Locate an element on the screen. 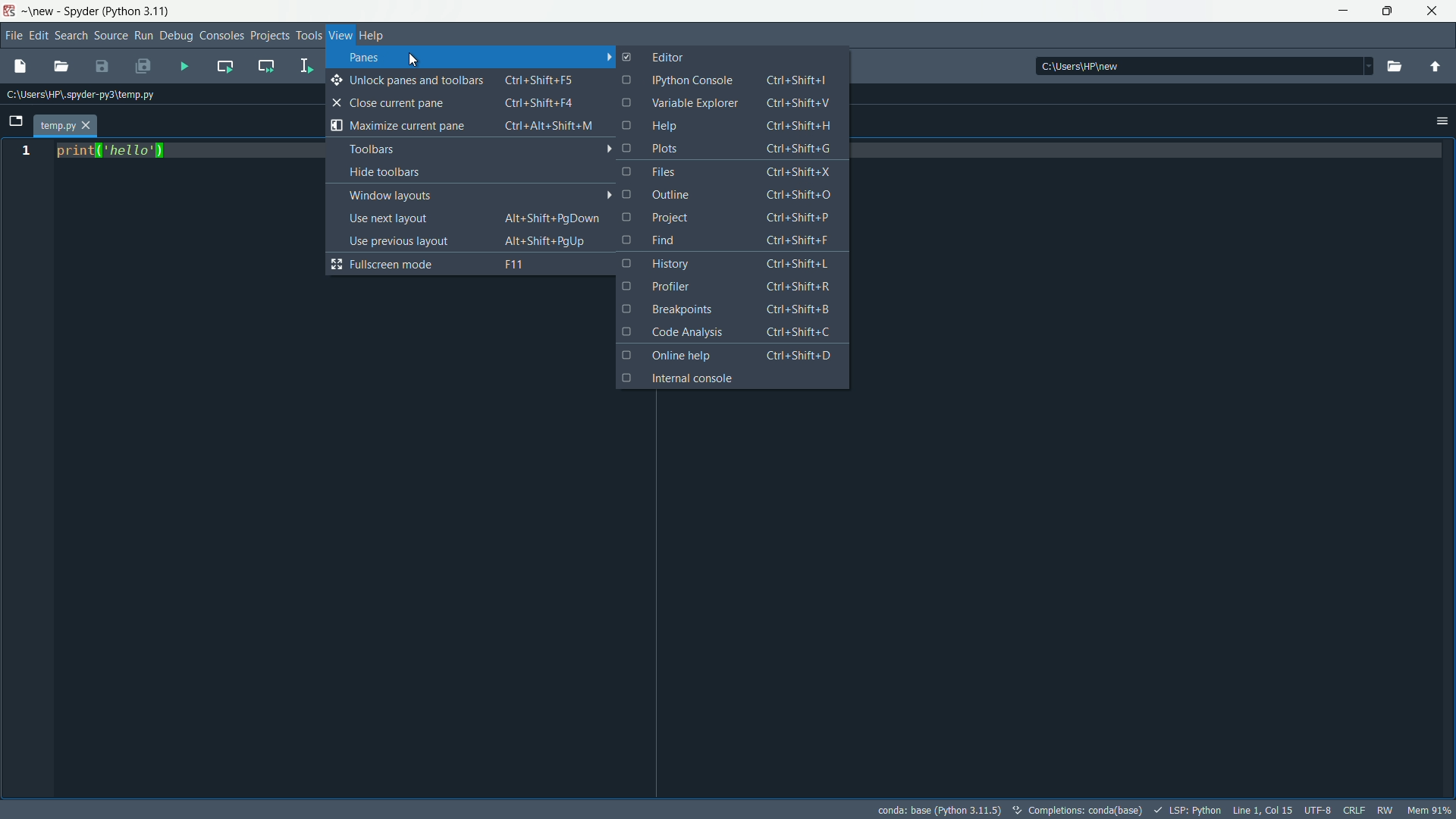 This screenshot has width=1456, height=819. browse directory is located at coordinates (1393, 66).